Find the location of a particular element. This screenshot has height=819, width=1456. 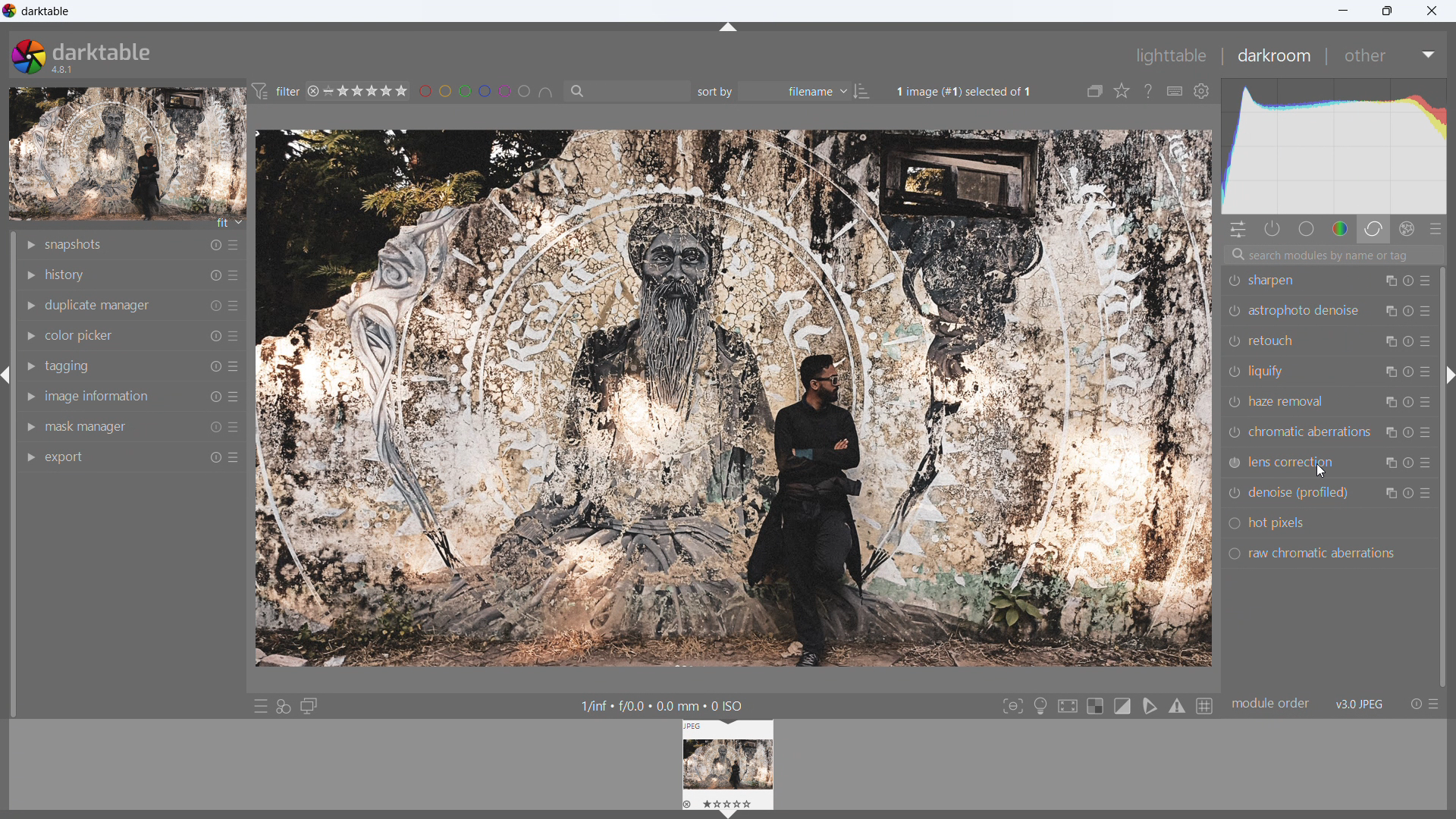

image is located at coordinates (732, 397).